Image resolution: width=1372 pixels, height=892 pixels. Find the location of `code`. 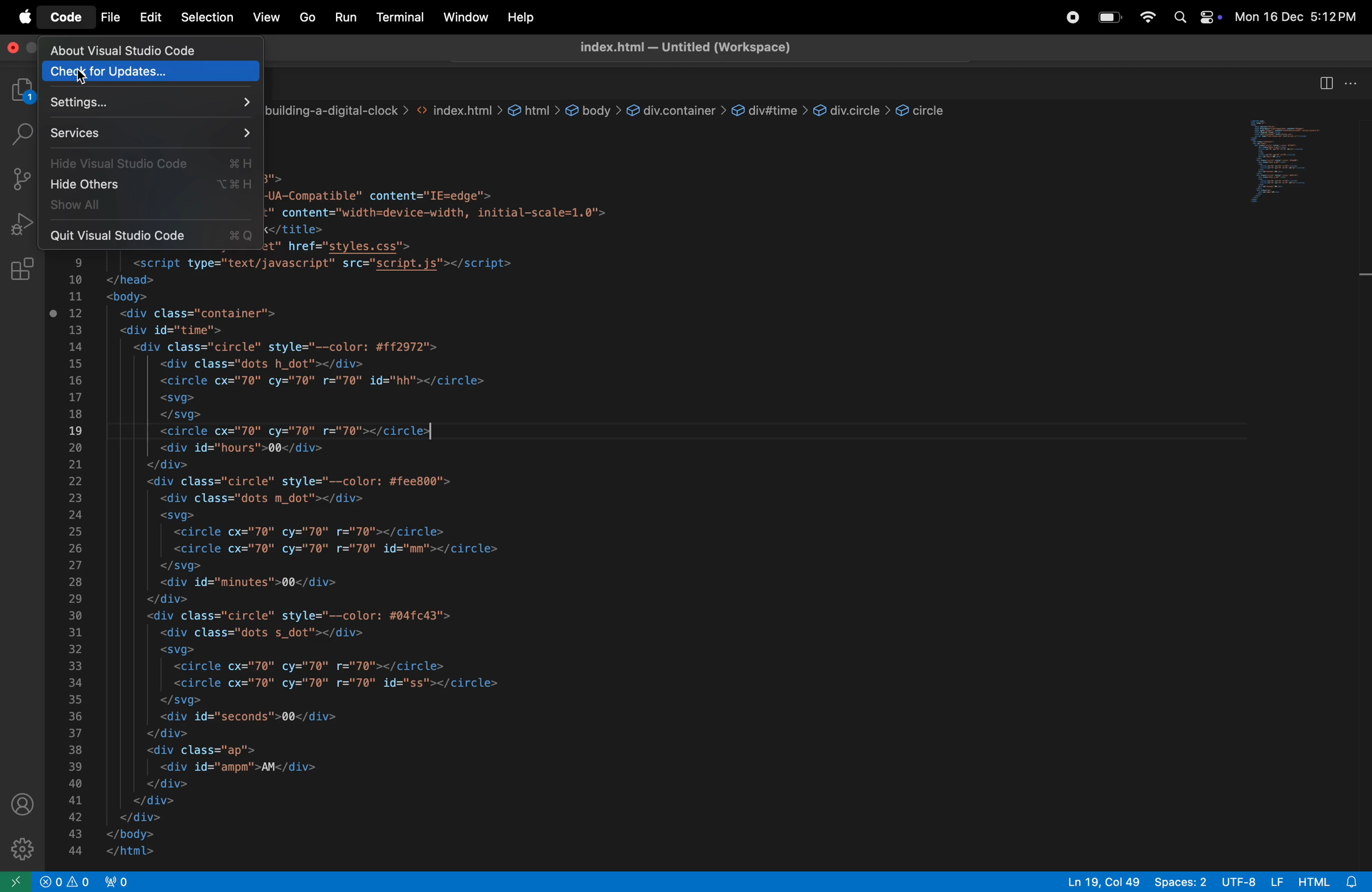

code is located at coordinates (64, 19).